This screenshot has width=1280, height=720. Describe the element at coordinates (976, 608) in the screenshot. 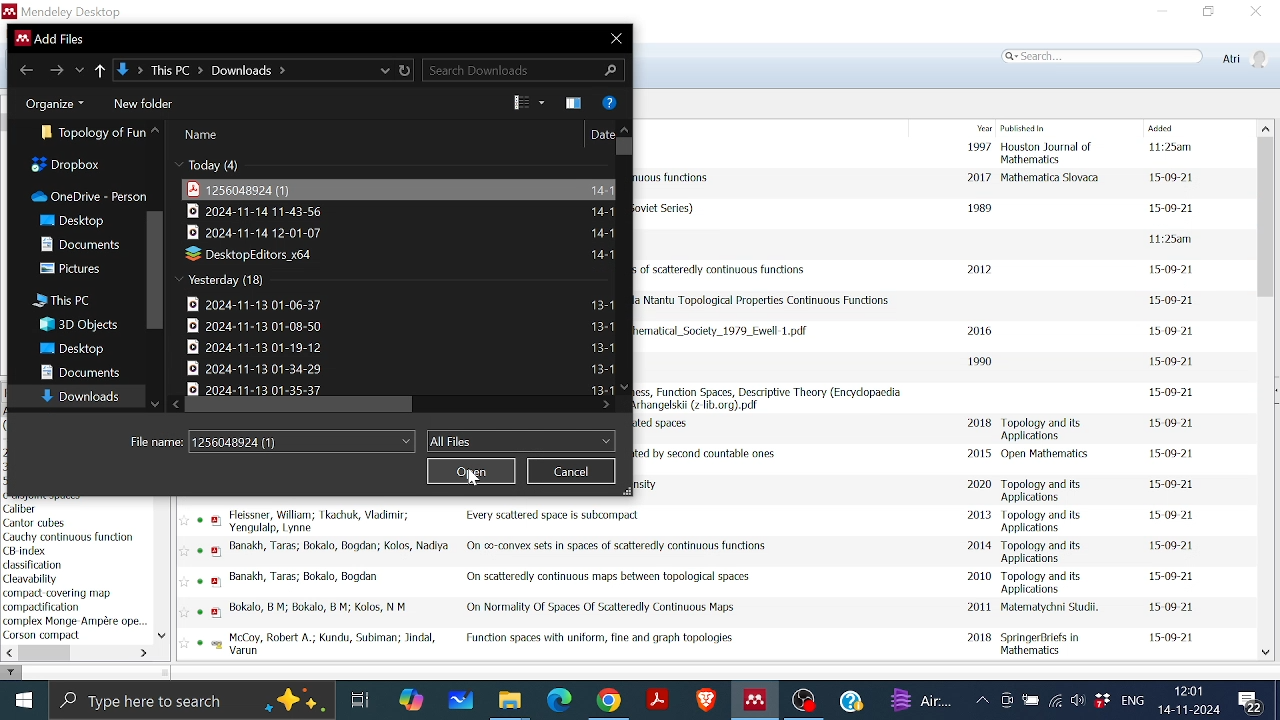

I see `2011` at that location.